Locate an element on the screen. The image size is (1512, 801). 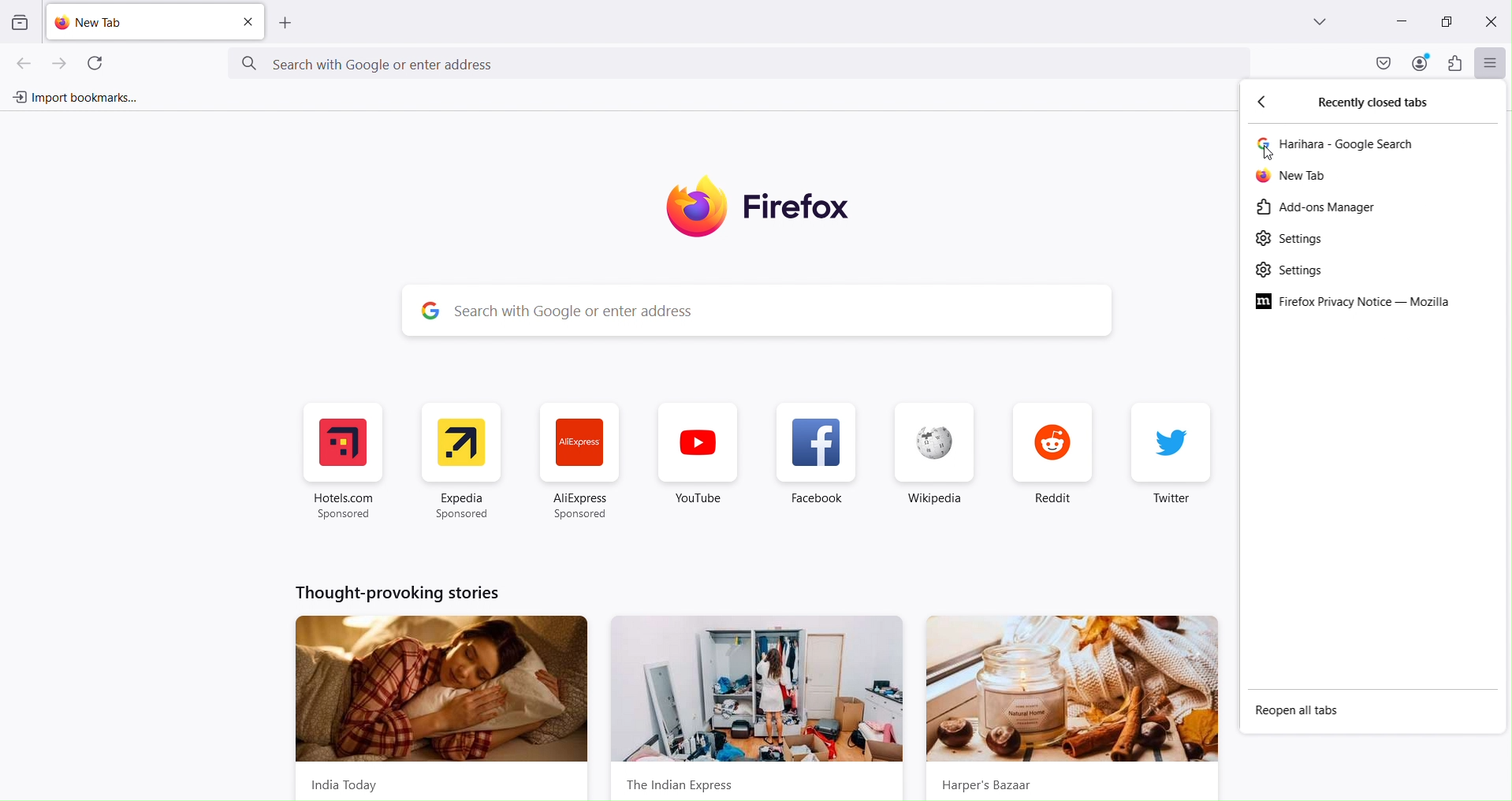
Open application menu is located at coordinates (1492, 63).